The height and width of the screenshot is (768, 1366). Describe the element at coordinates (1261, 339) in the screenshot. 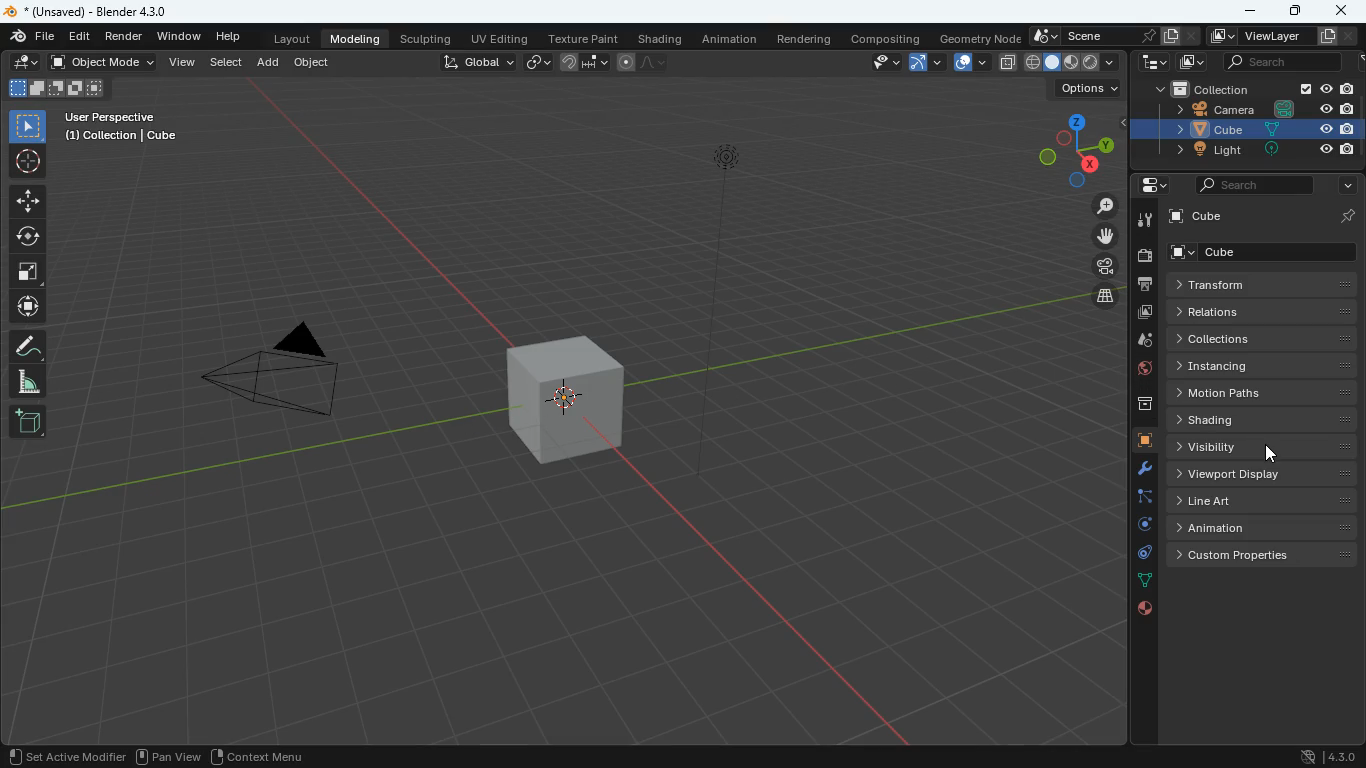

I see `collections` at that location.